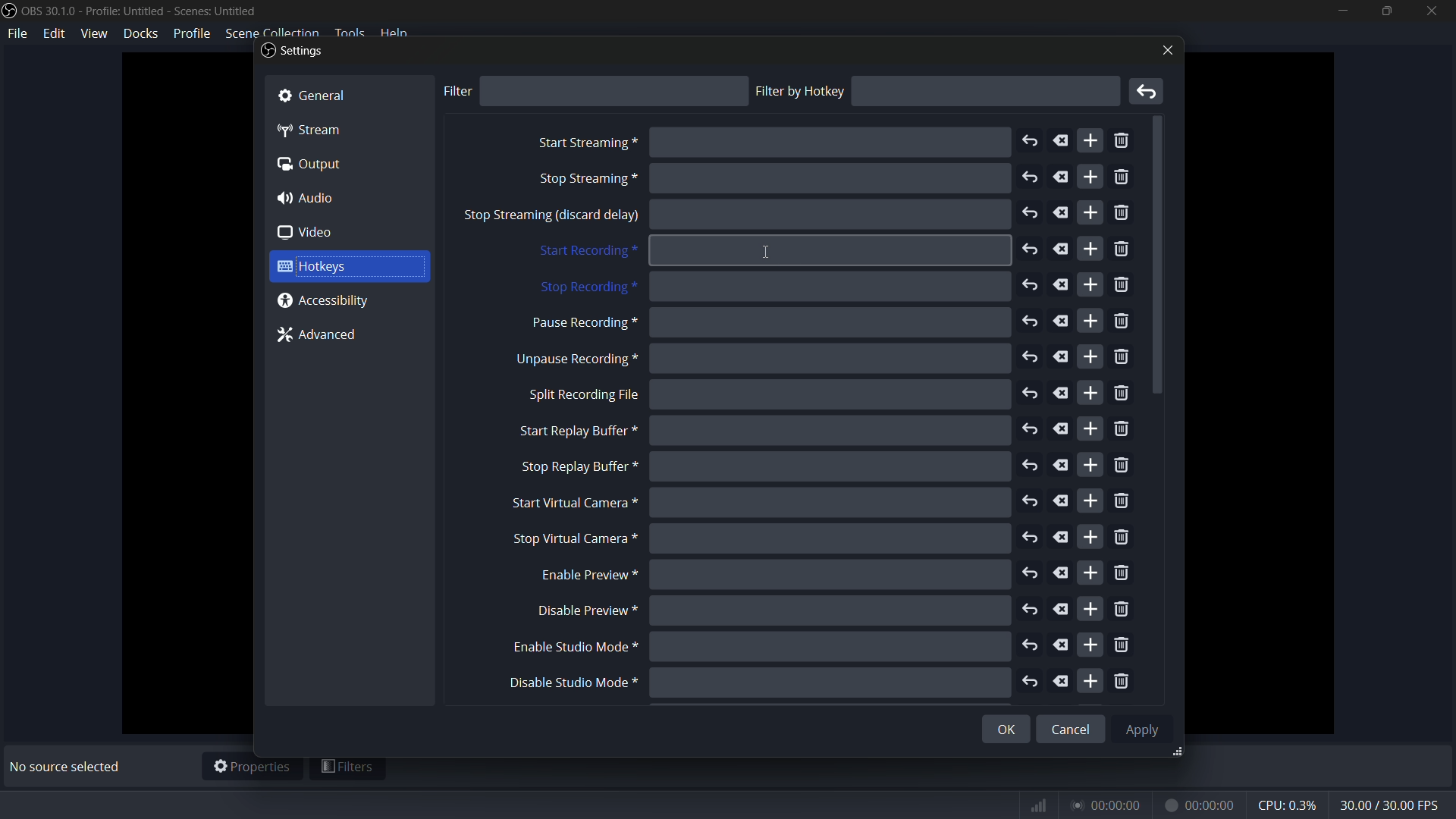 This screenshot has height=819, width=1456. What do you see at coordinates (1121, 323) in the screenshot?
I see `remove` at bounding box center [1121, 323].